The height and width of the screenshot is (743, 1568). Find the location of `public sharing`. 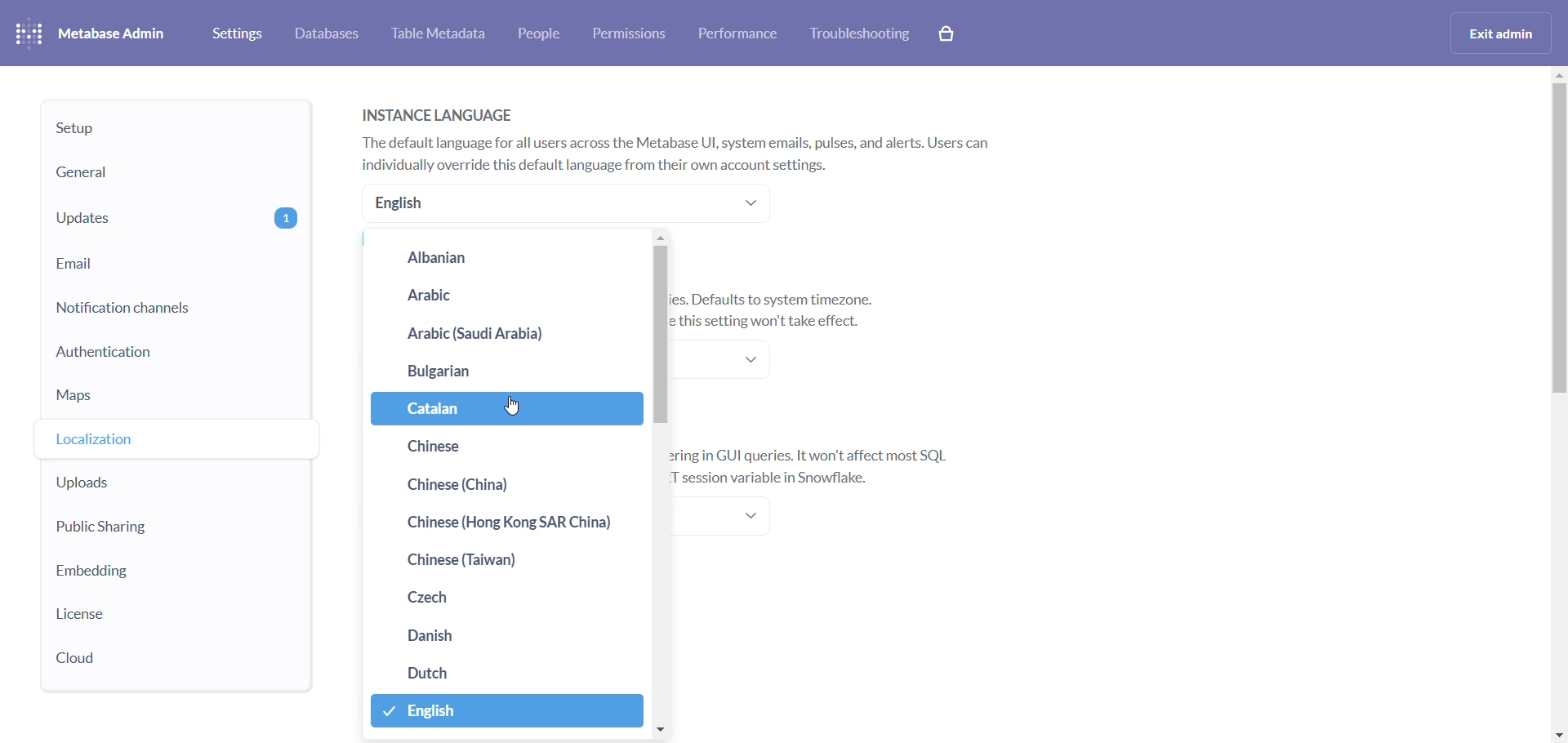

public sharing is located at coordinates (153, 526).